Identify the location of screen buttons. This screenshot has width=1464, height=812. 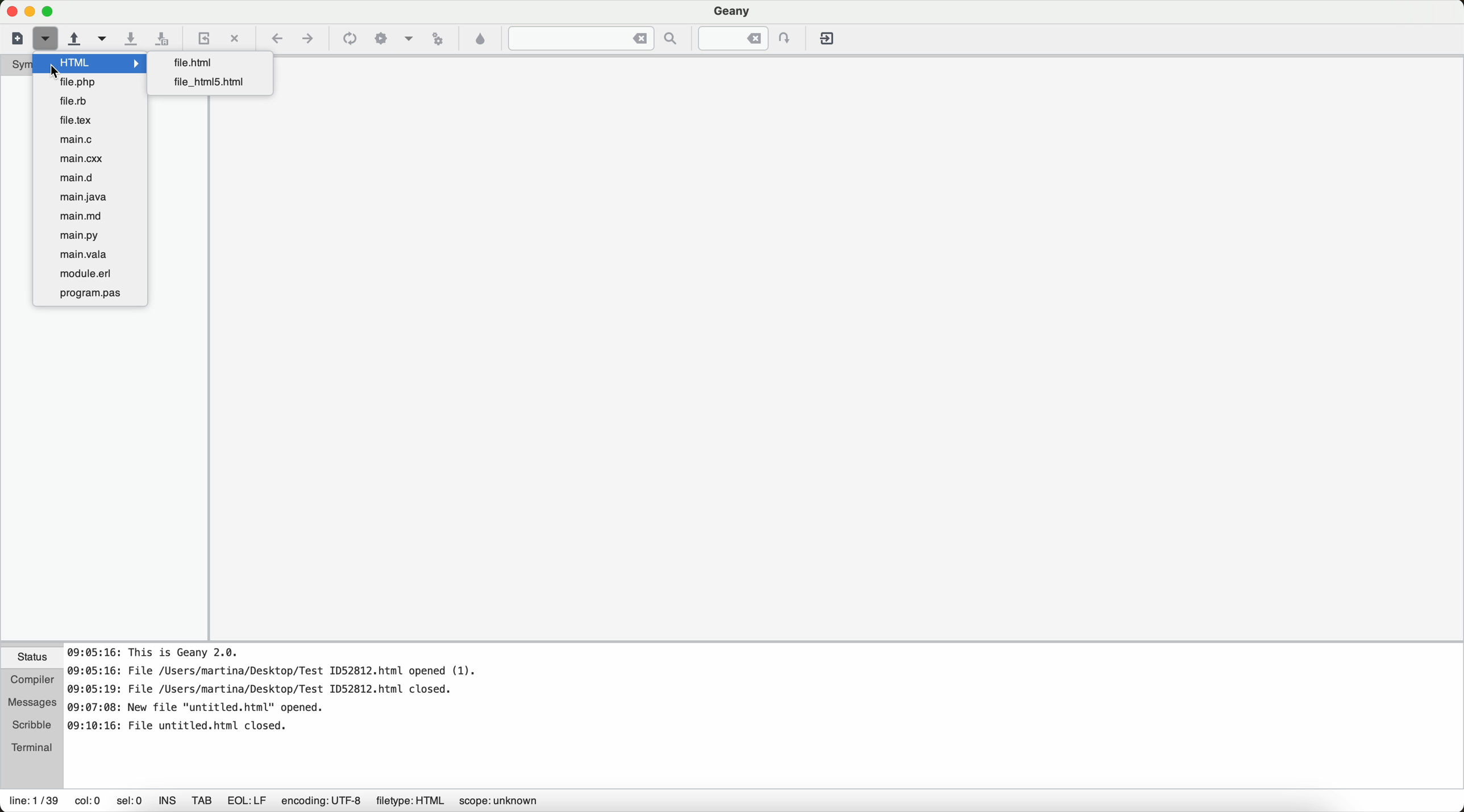
(32, 10).